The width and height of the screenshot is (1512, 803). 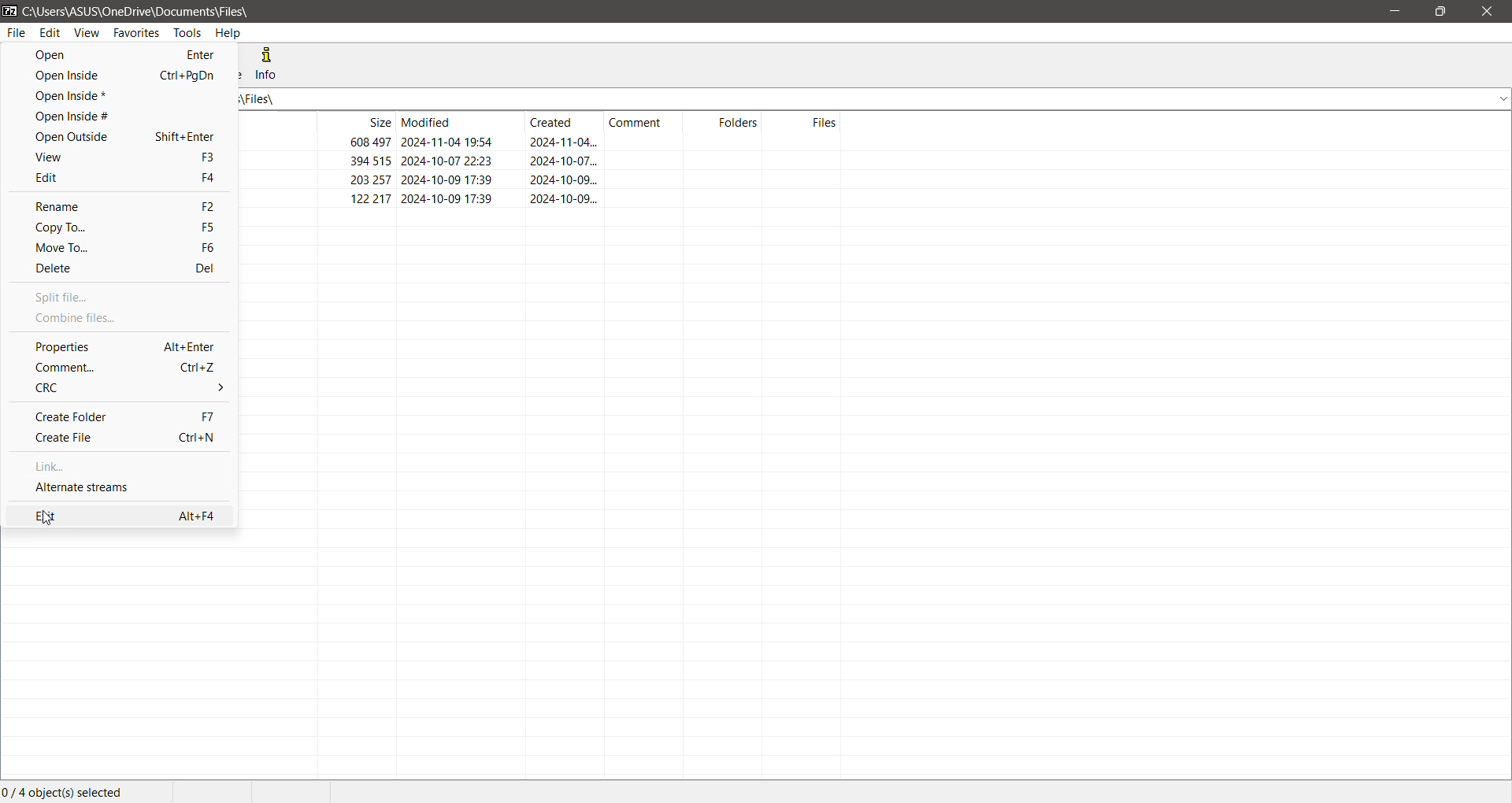 What do you see at coordinates (17, 33) in the screenshot?
I see `File` at bounding box center [17, 33].